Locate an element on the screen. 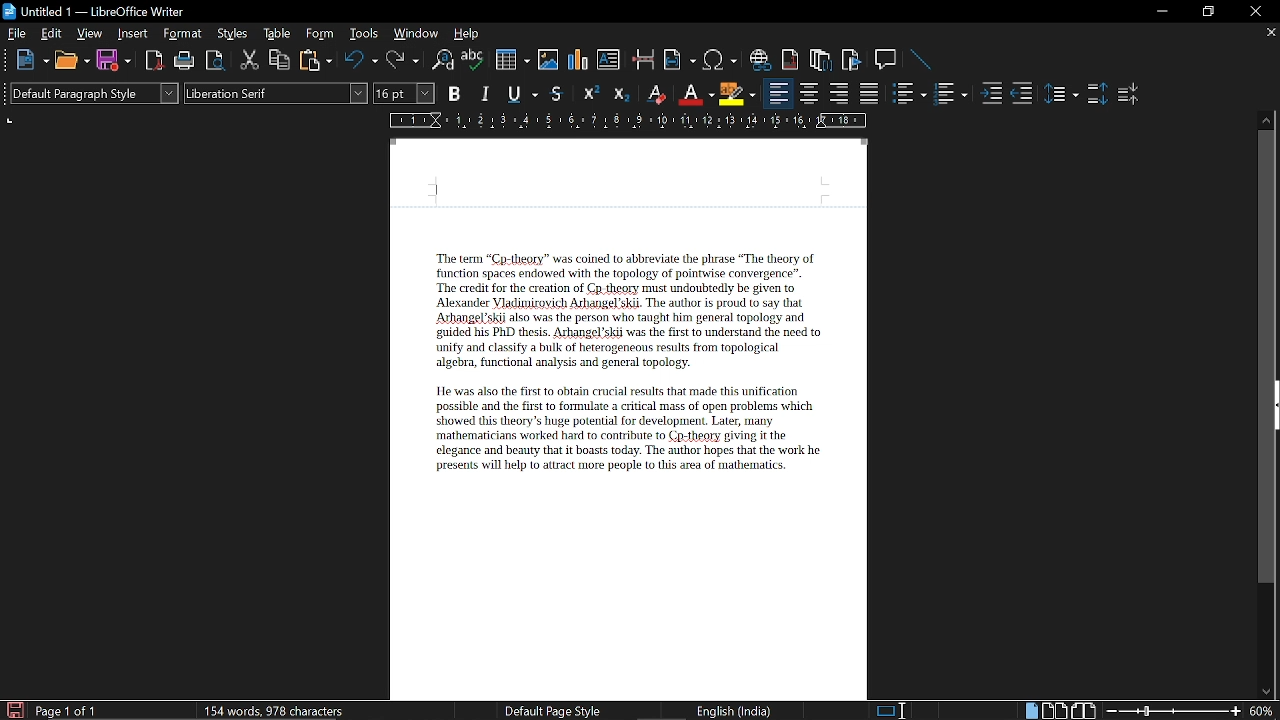  SCale is located at coordinates (626, 123).